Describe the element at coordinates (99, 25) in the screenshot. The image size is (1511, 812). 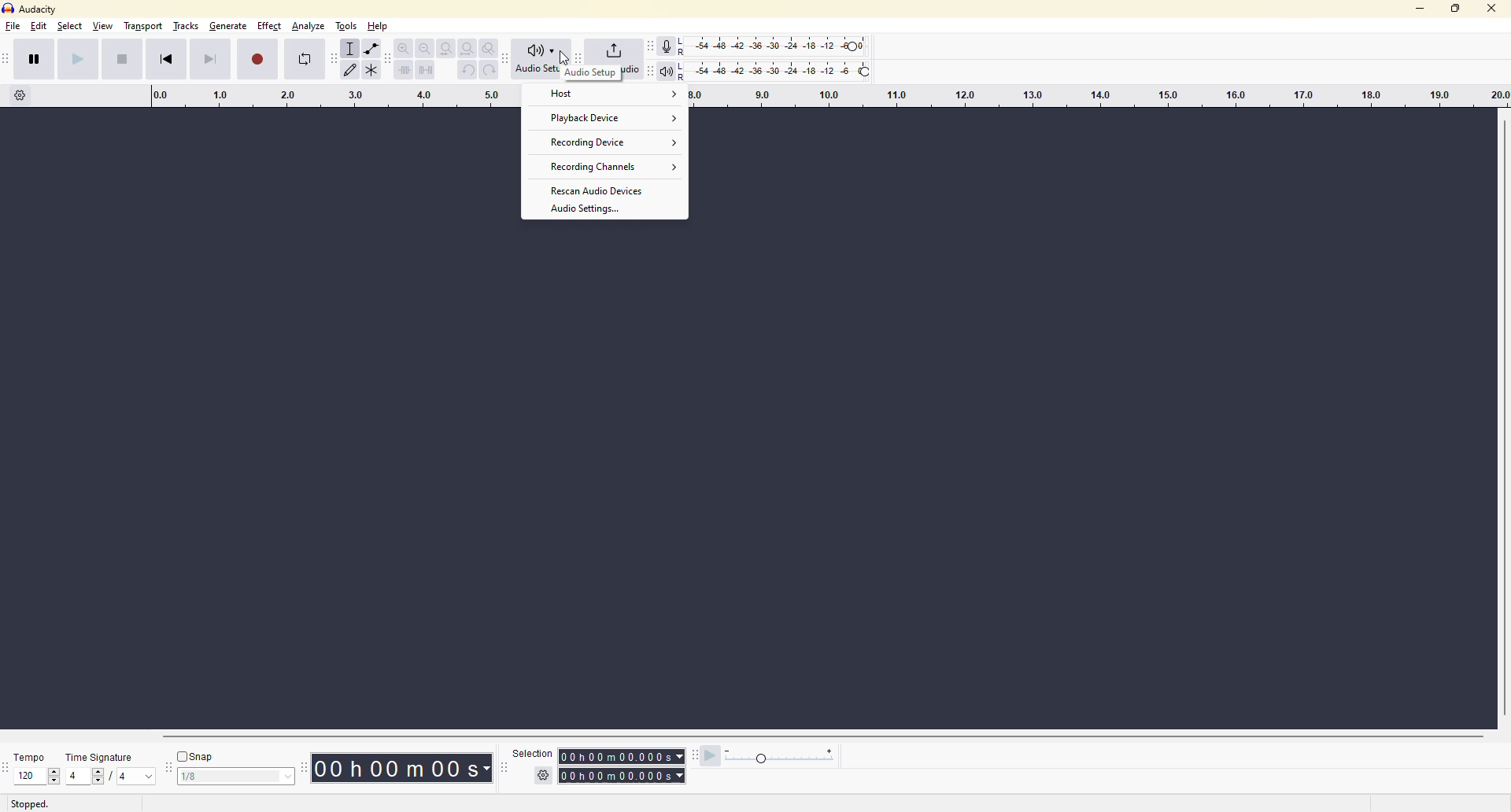
I see `view` at that location.